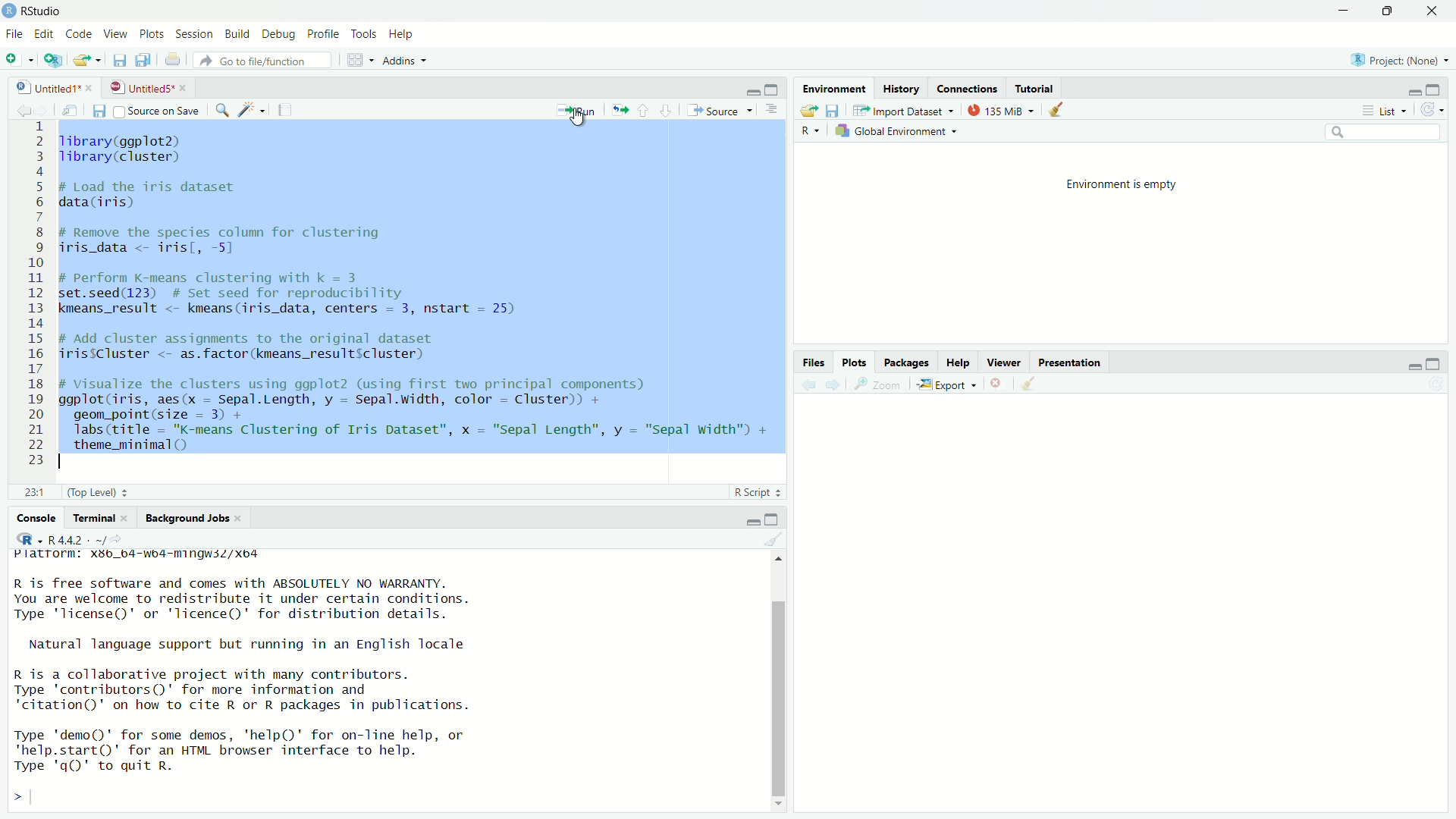 The image size is (1456, 819). Describe the element at coordinates (1409, 364) in the screenshot. I see `minimize` at that location.